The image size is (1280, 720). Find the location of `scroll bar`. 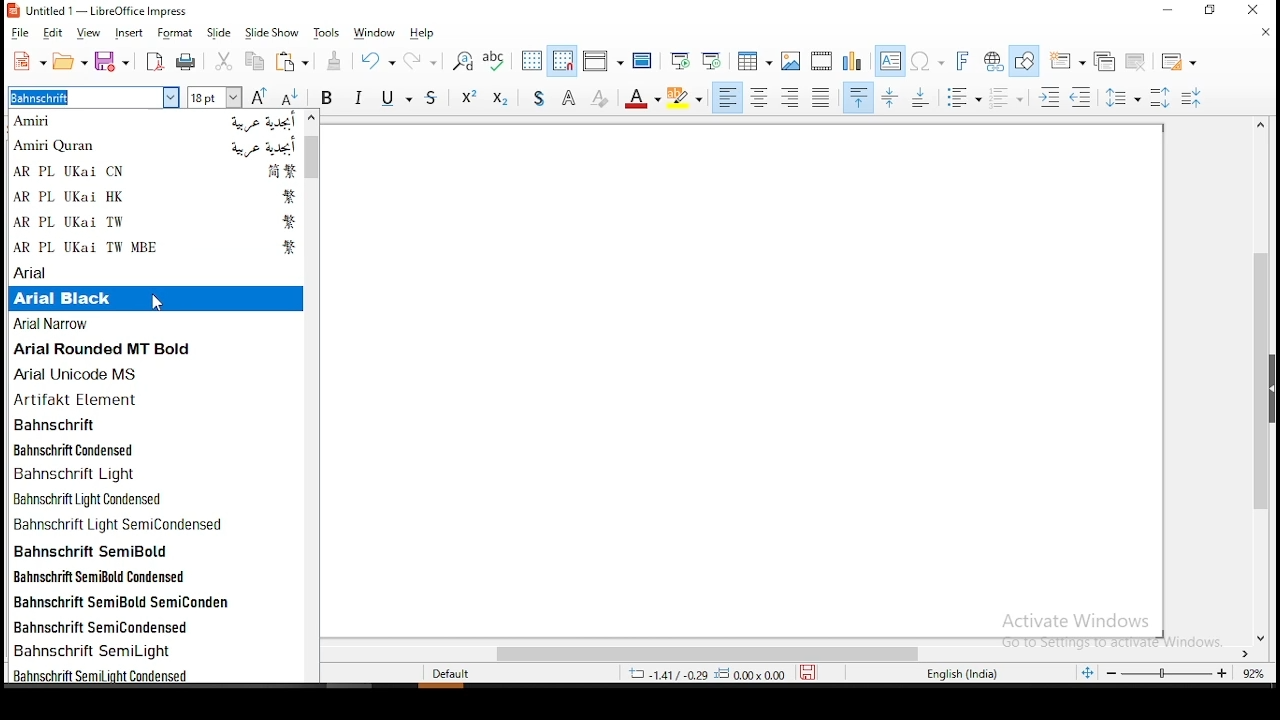

scroll bar is located at coordinates (311, 396).